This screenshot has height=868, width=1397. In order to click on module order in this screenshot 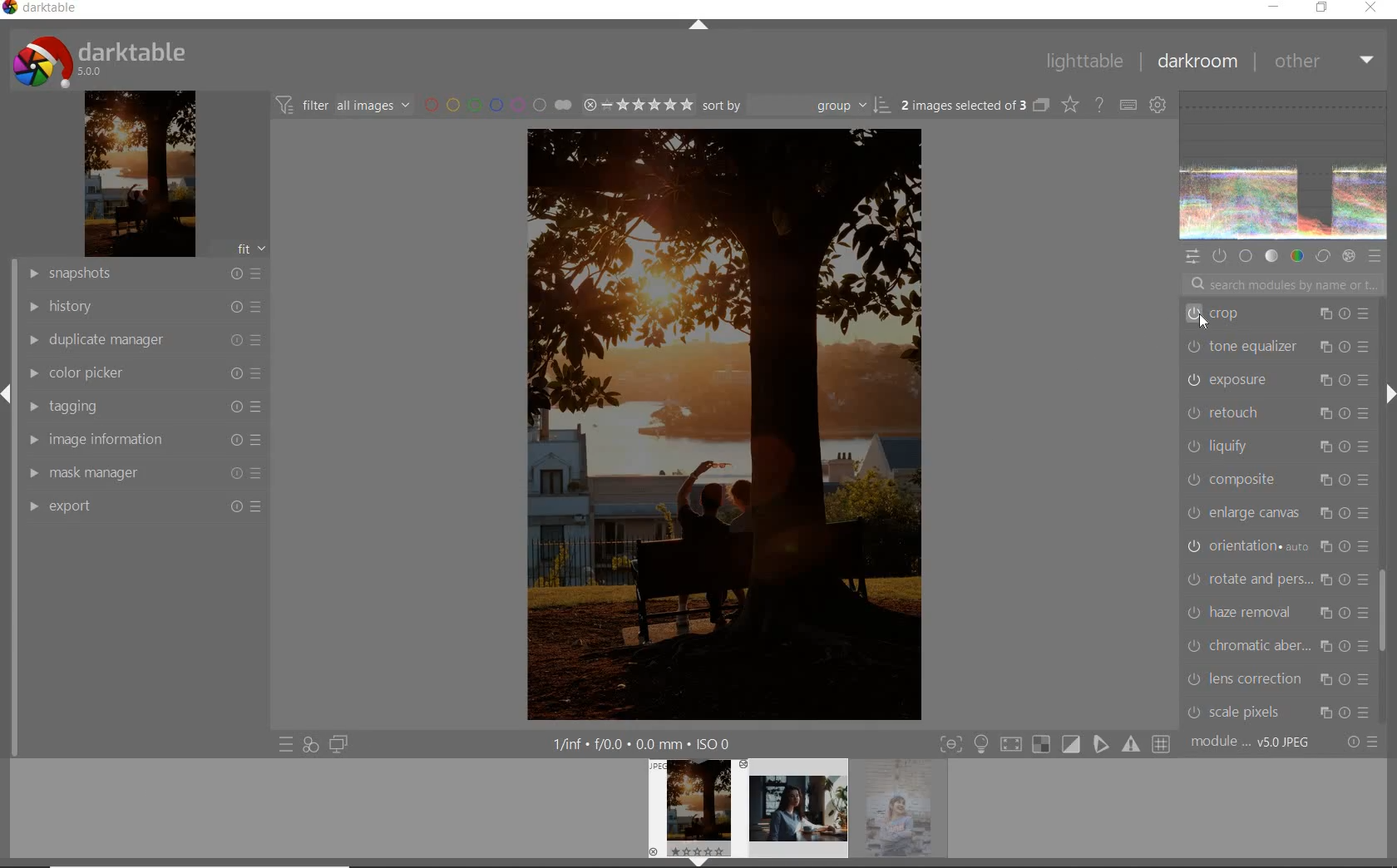, I will do `click(1249, 744)`.